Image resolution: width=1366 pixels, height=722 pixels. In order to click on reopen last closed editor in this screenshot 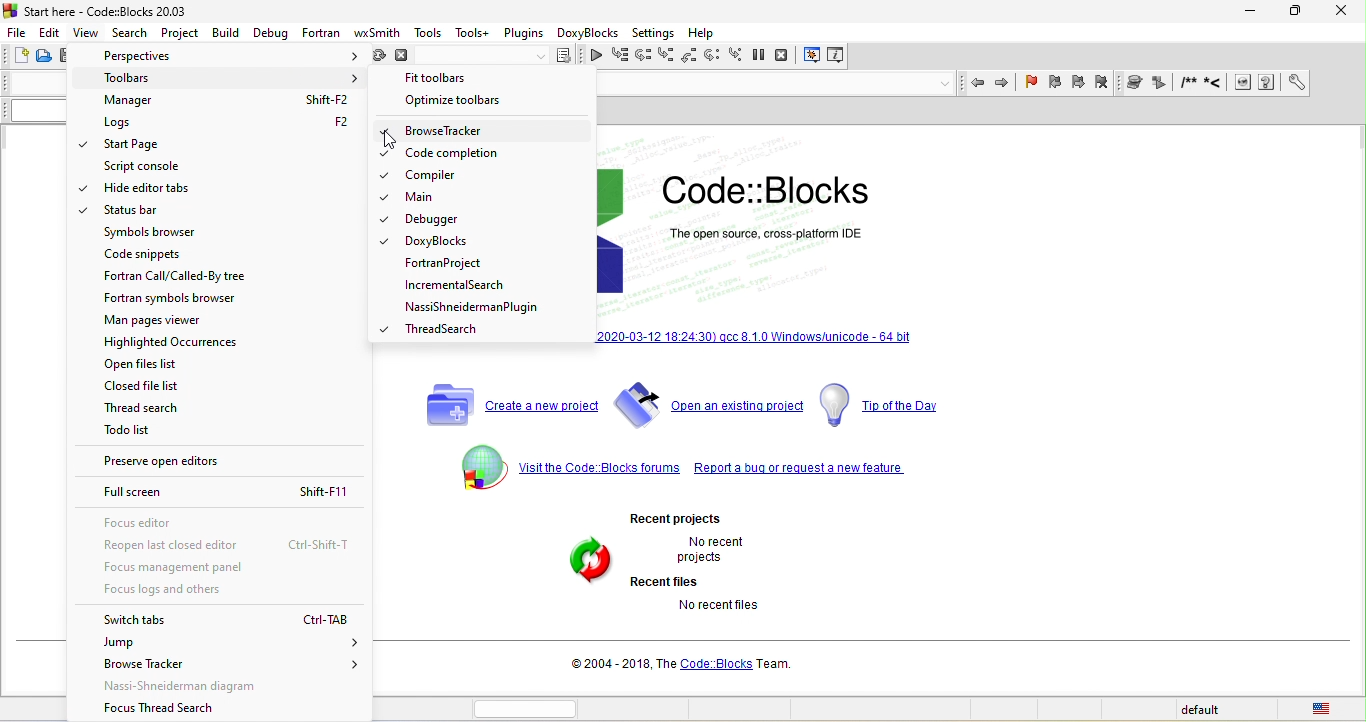, I will do `click(227, 546)`.